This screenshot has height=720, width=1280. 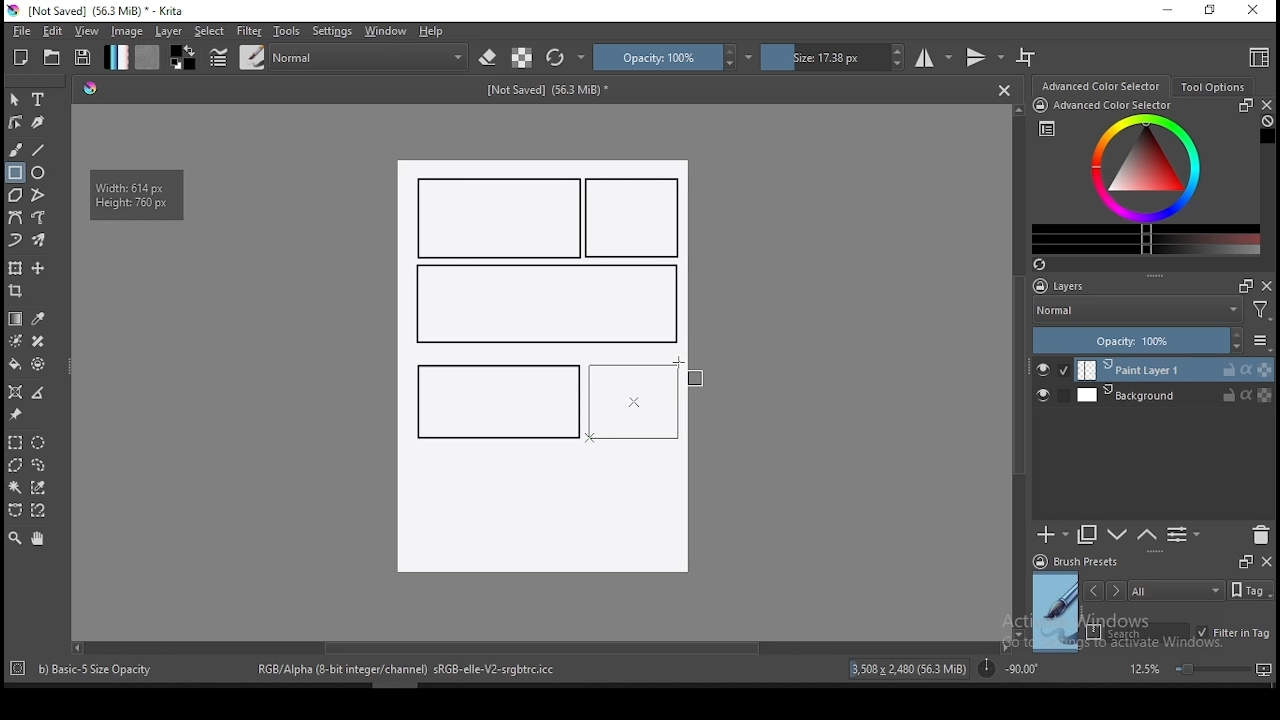 I want to click on advanced color selector, so click(x=1142, y=176).